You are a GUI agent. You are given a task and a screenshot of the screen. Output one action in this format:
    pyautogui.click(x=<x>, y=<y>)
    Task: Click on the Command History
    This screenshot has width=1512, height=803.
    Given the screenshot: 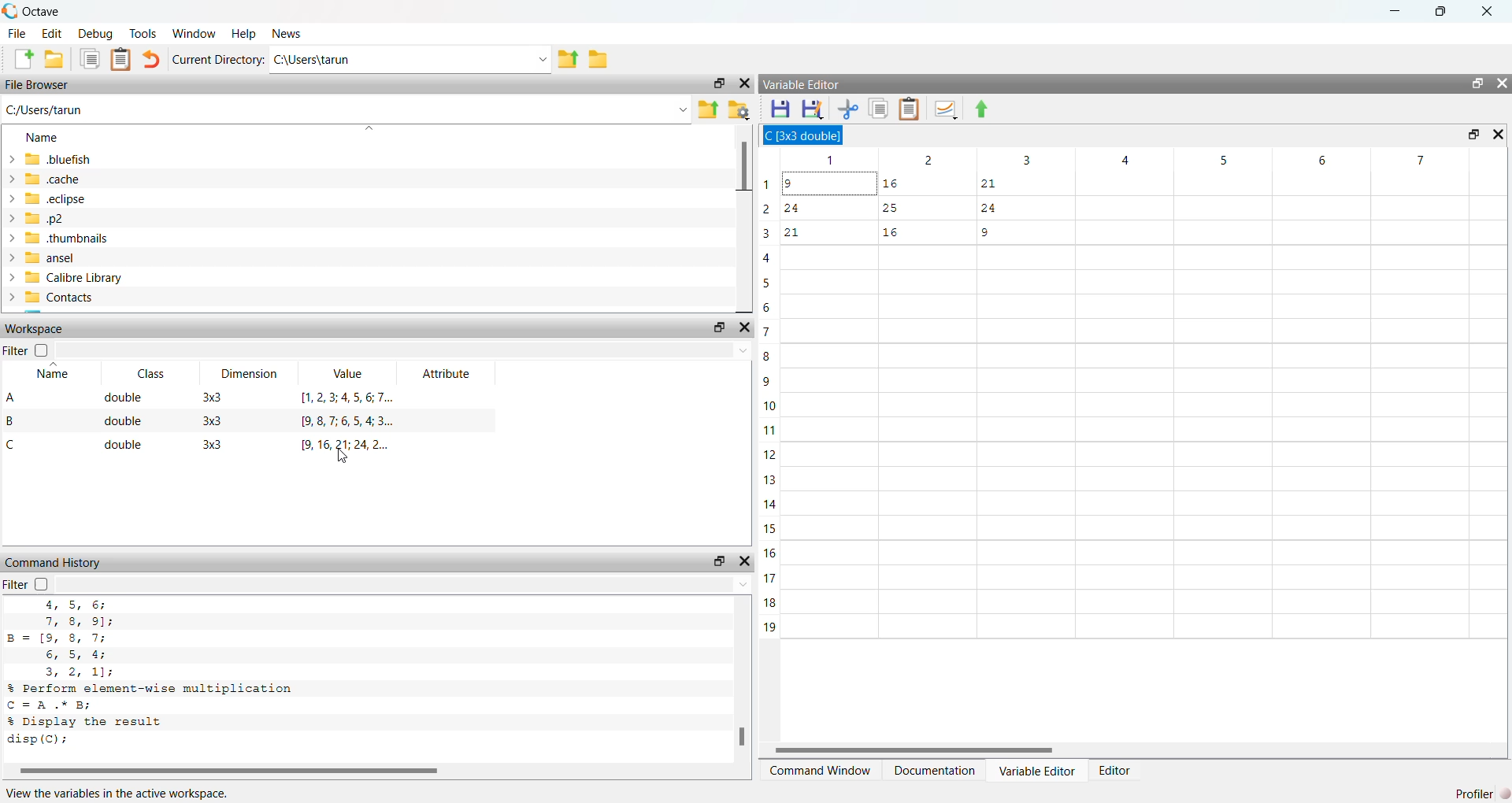 What is the action you would take?
    pyautogui.click(x=54, y=563)
    